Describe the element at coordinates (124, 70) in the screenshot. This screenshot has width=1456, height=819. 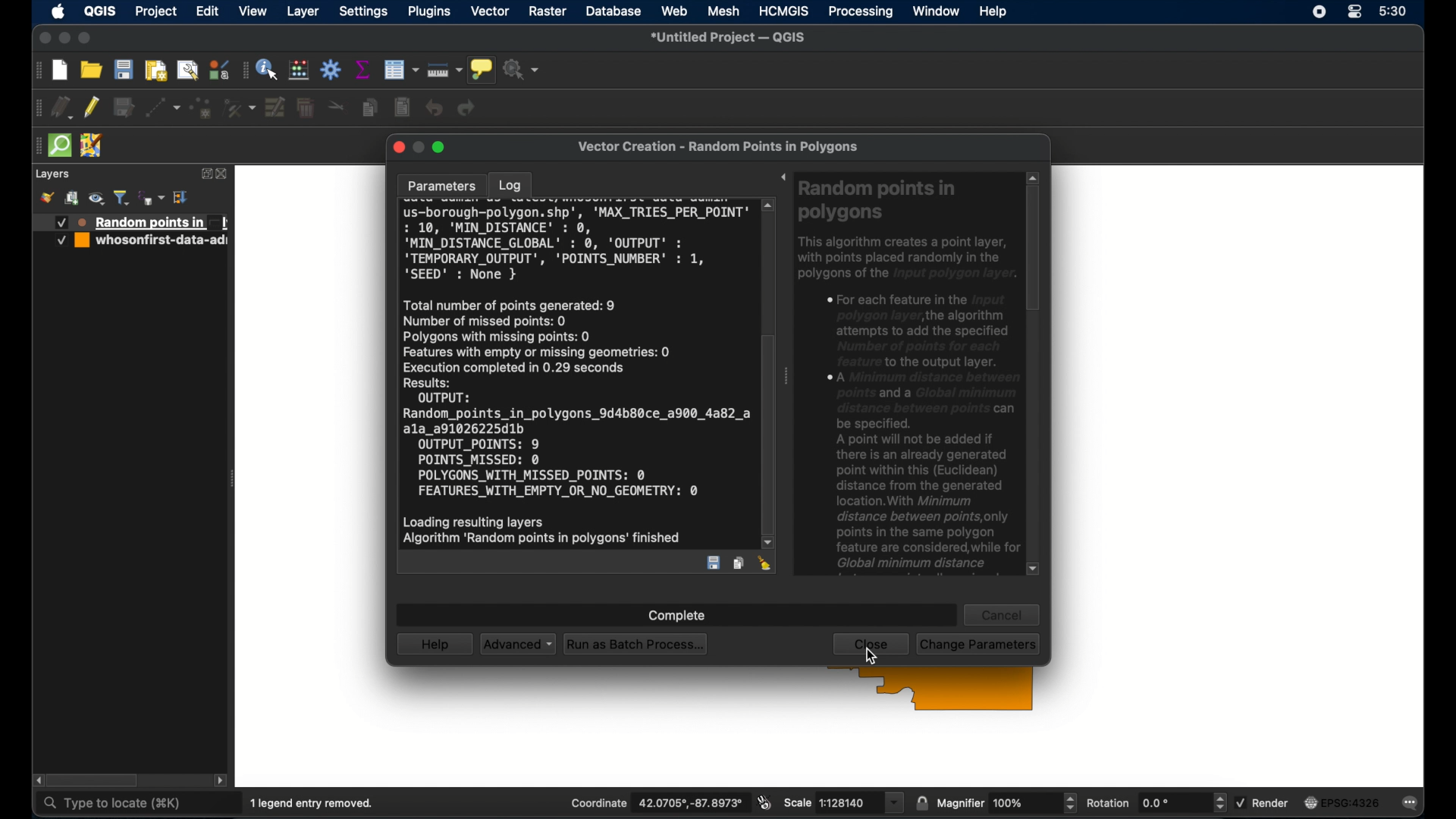
I see `save project` at that location.